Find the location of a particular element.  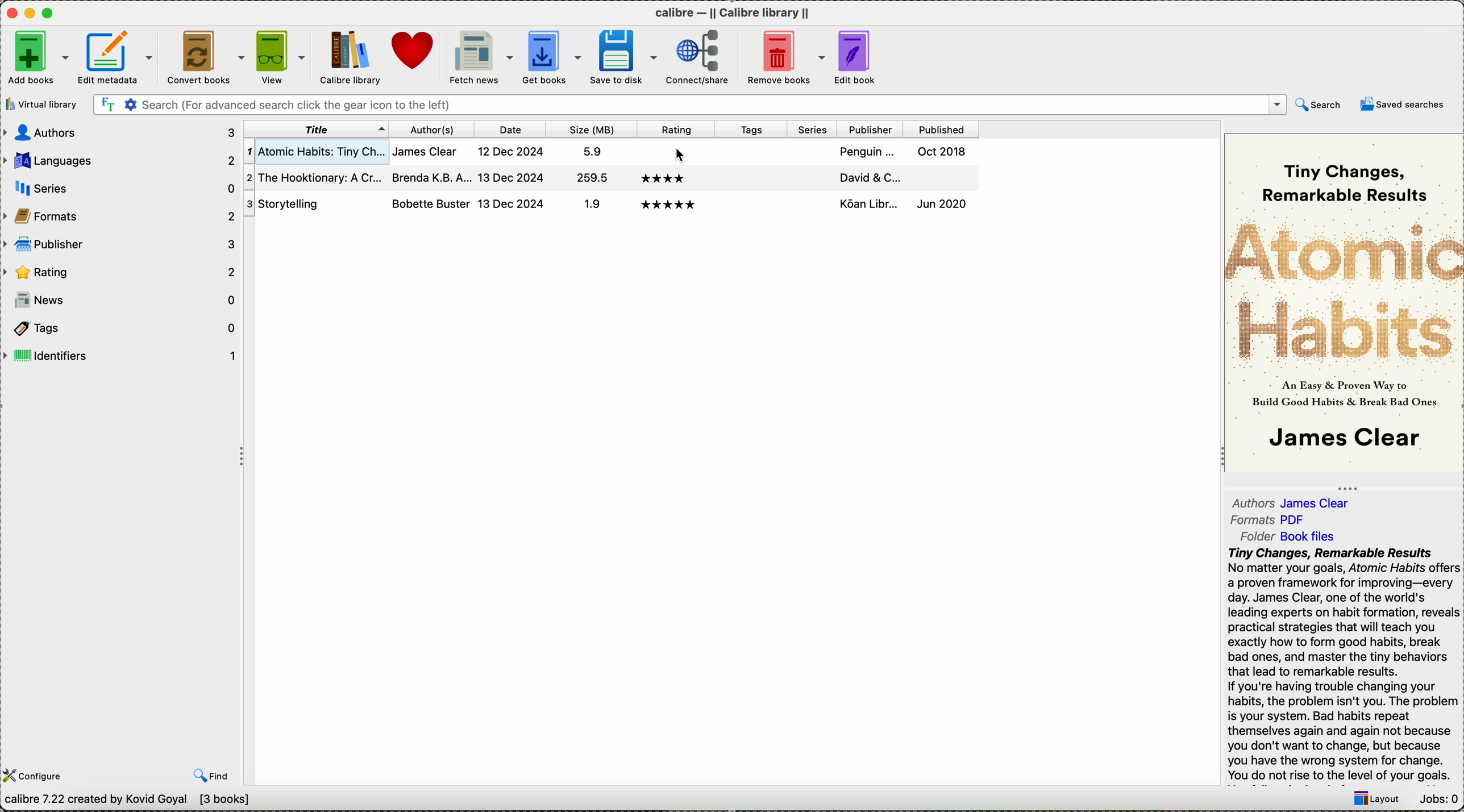

tags is located at coordinates (748, 207).